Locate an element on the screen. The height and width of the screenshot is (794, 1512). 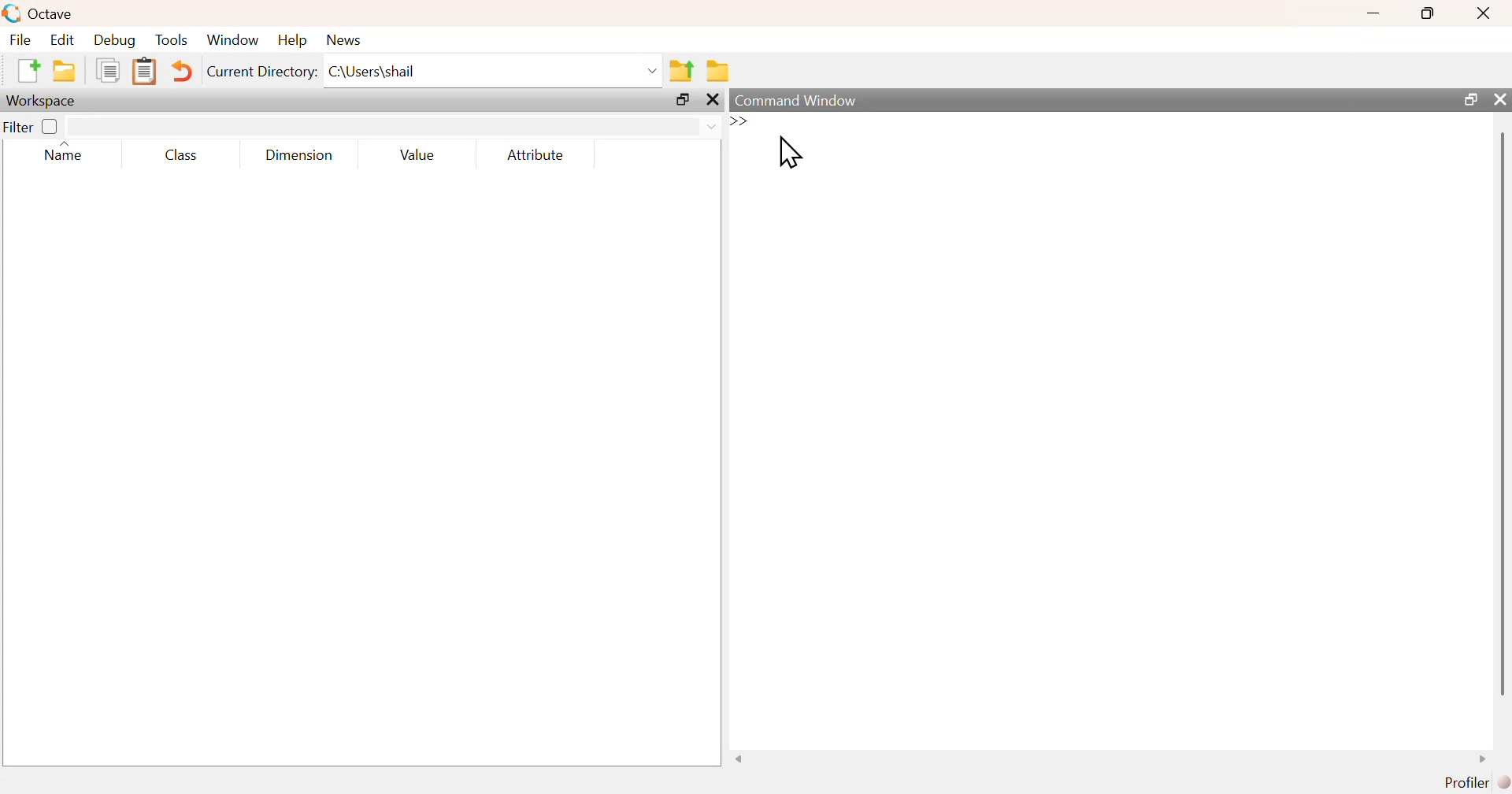
maximize is located at coordinates (1429, 13).